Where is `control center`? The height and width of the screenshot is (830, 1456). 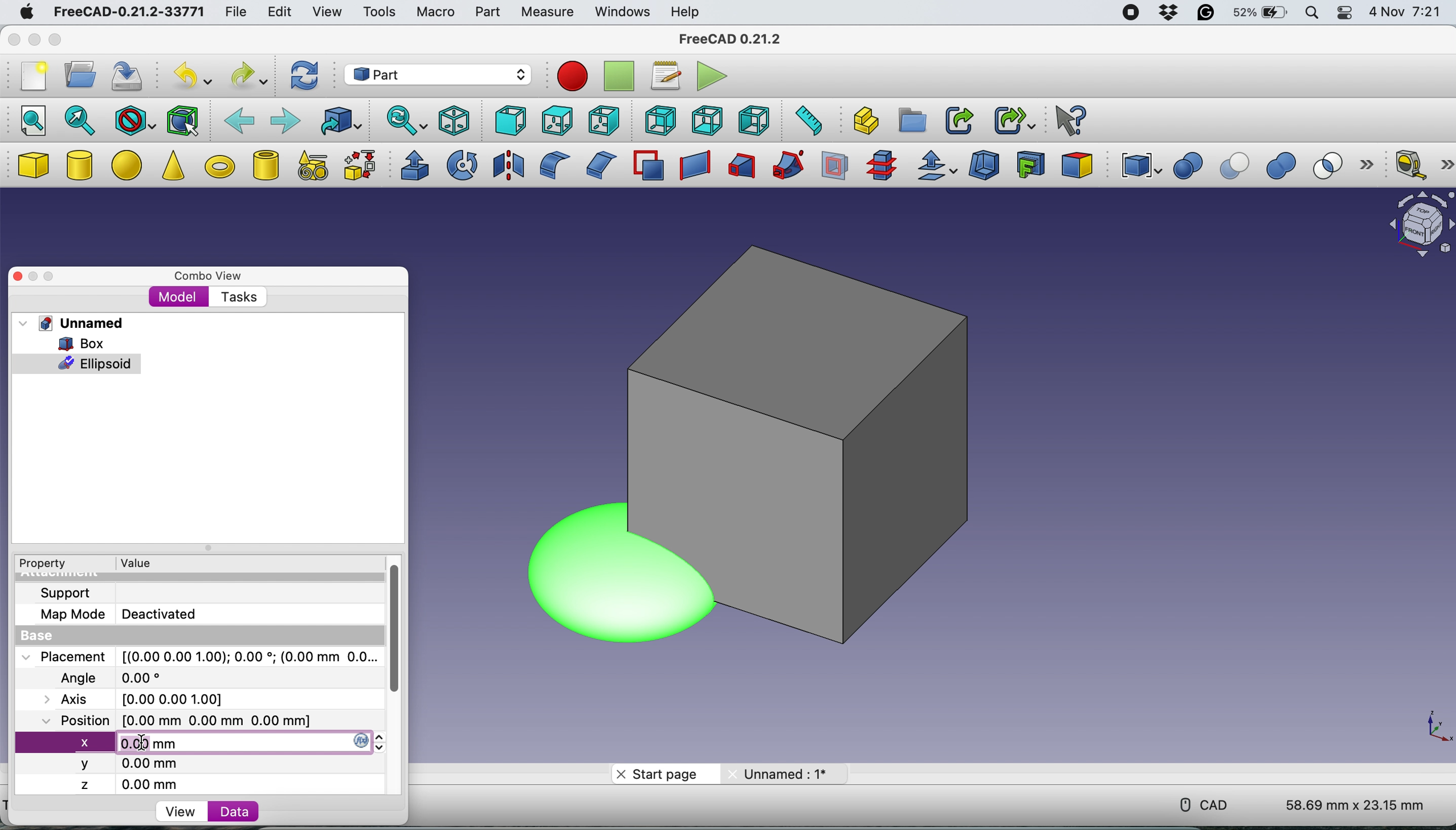 control center is located at coordinates (1345, 13).